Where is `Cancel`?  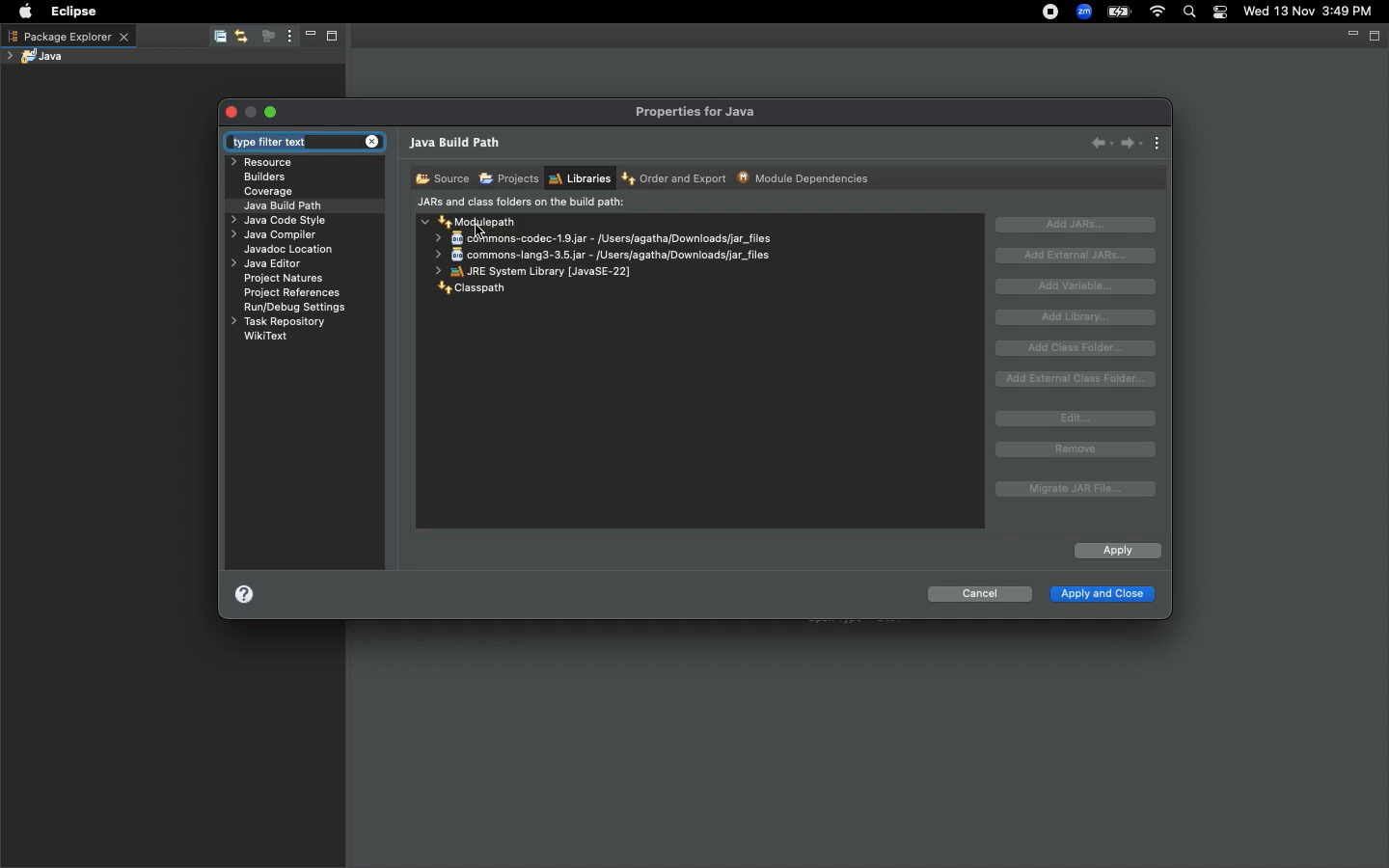 Cancel is located at coordinates (979, 597).